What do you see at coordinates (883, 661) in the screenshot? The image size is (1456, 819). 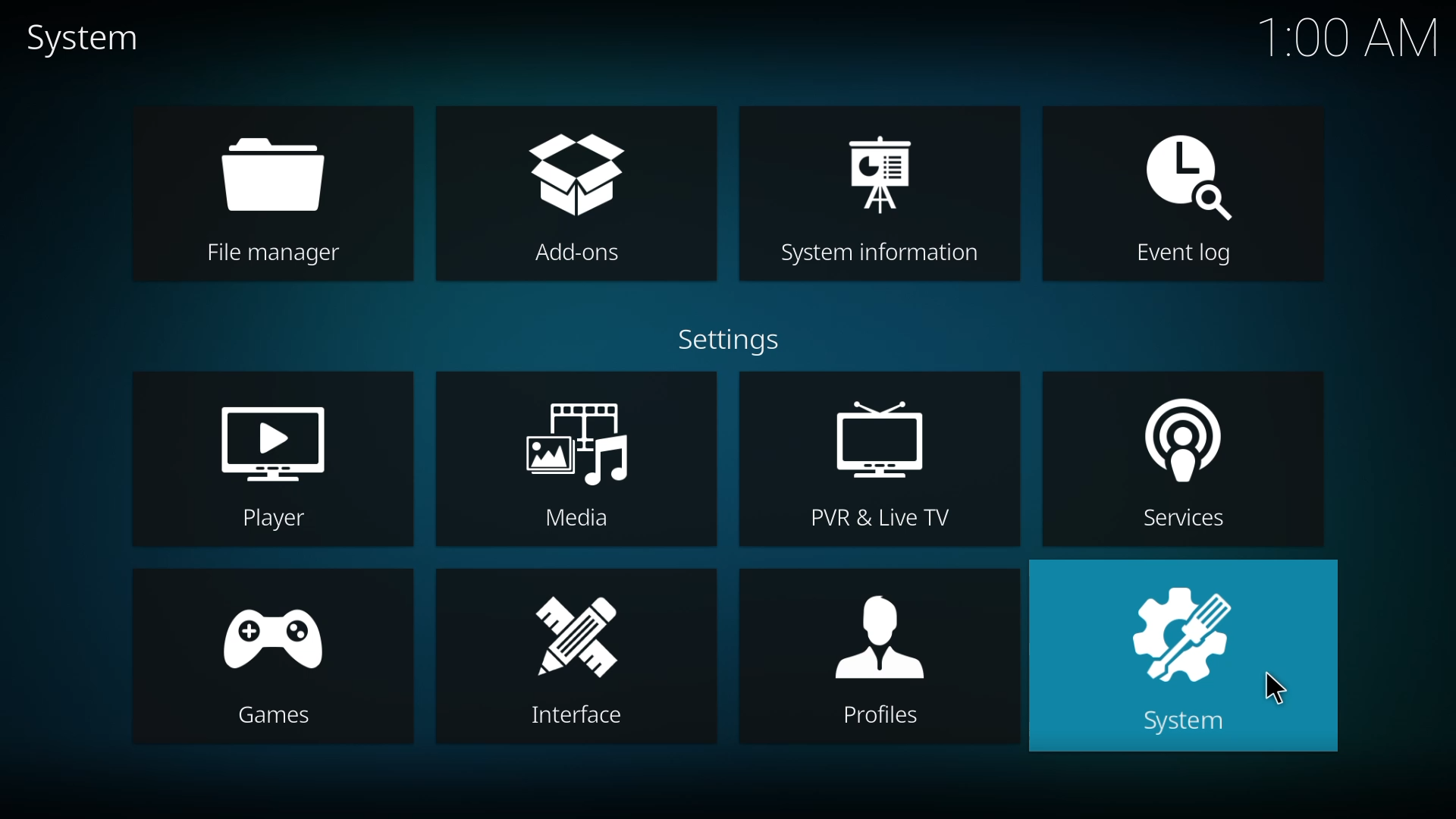 I see `profiles` at bounding box center [883, 661].